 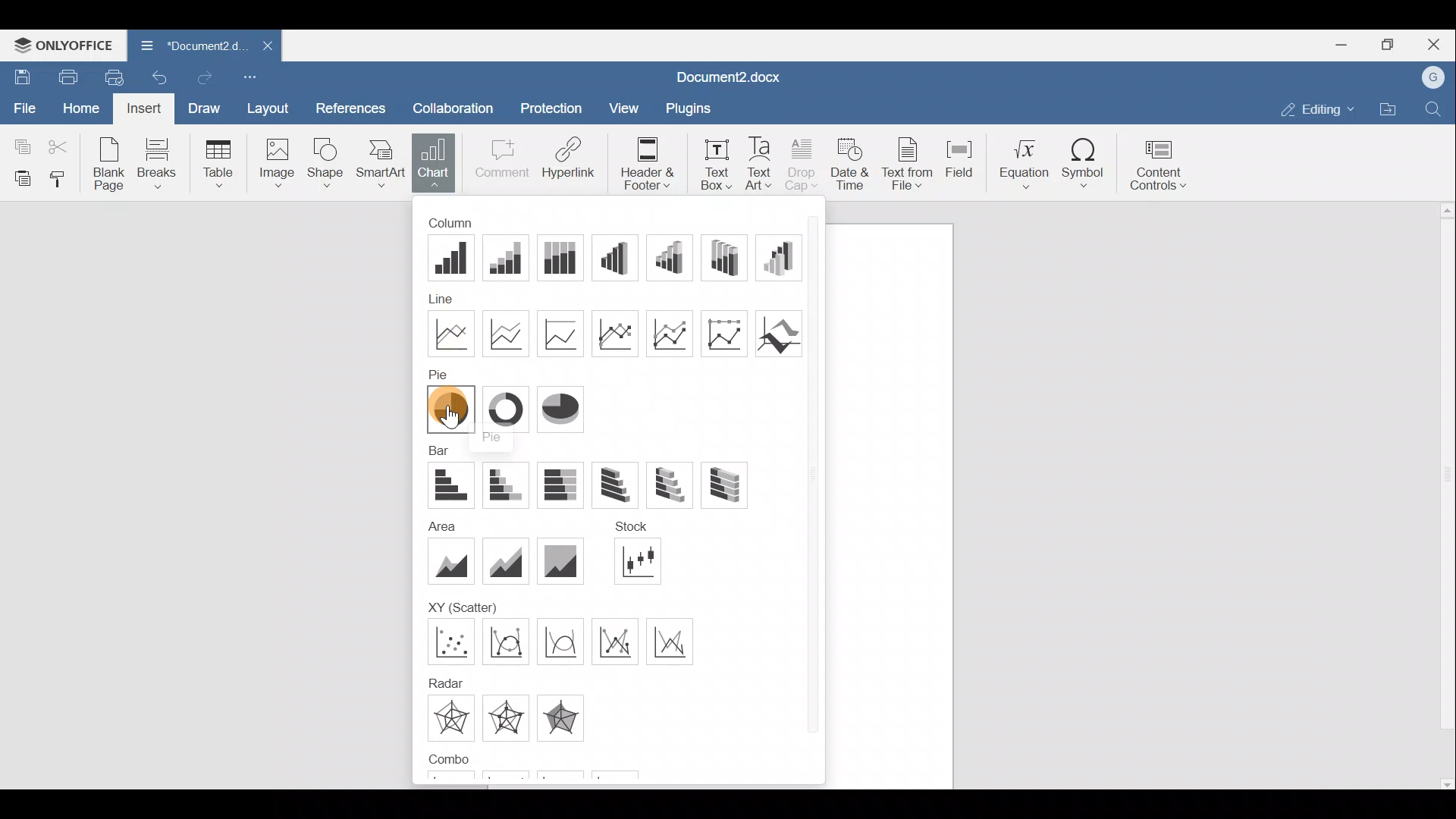 What do you see at coordinates (447, 641) in the screenshot?
I see `Scatter with smooth lines & markers` at bounding box center [447, 641].